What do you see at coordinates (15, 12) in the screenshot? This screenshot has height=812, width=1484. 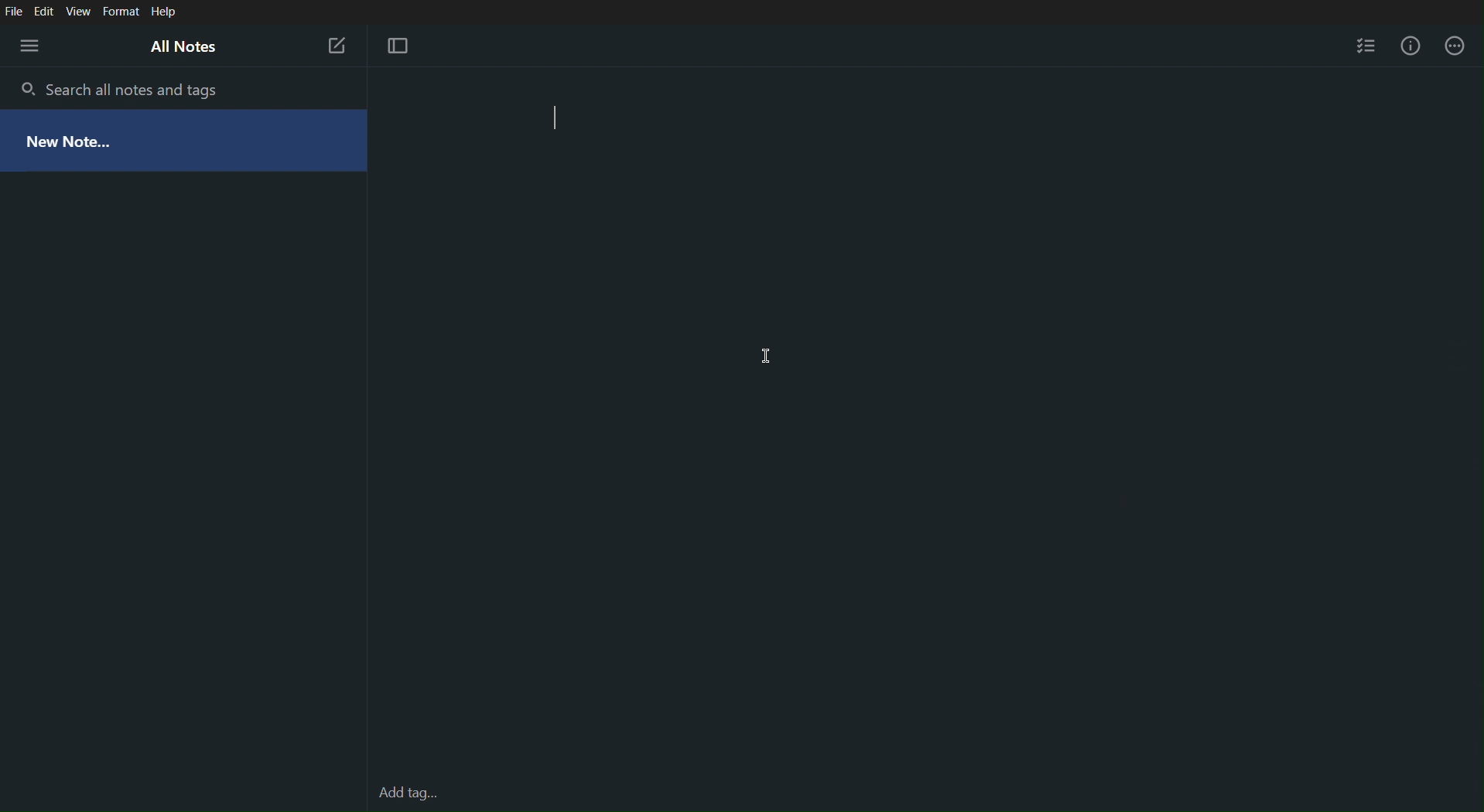 I see `File` at bounding box center [15, 12].